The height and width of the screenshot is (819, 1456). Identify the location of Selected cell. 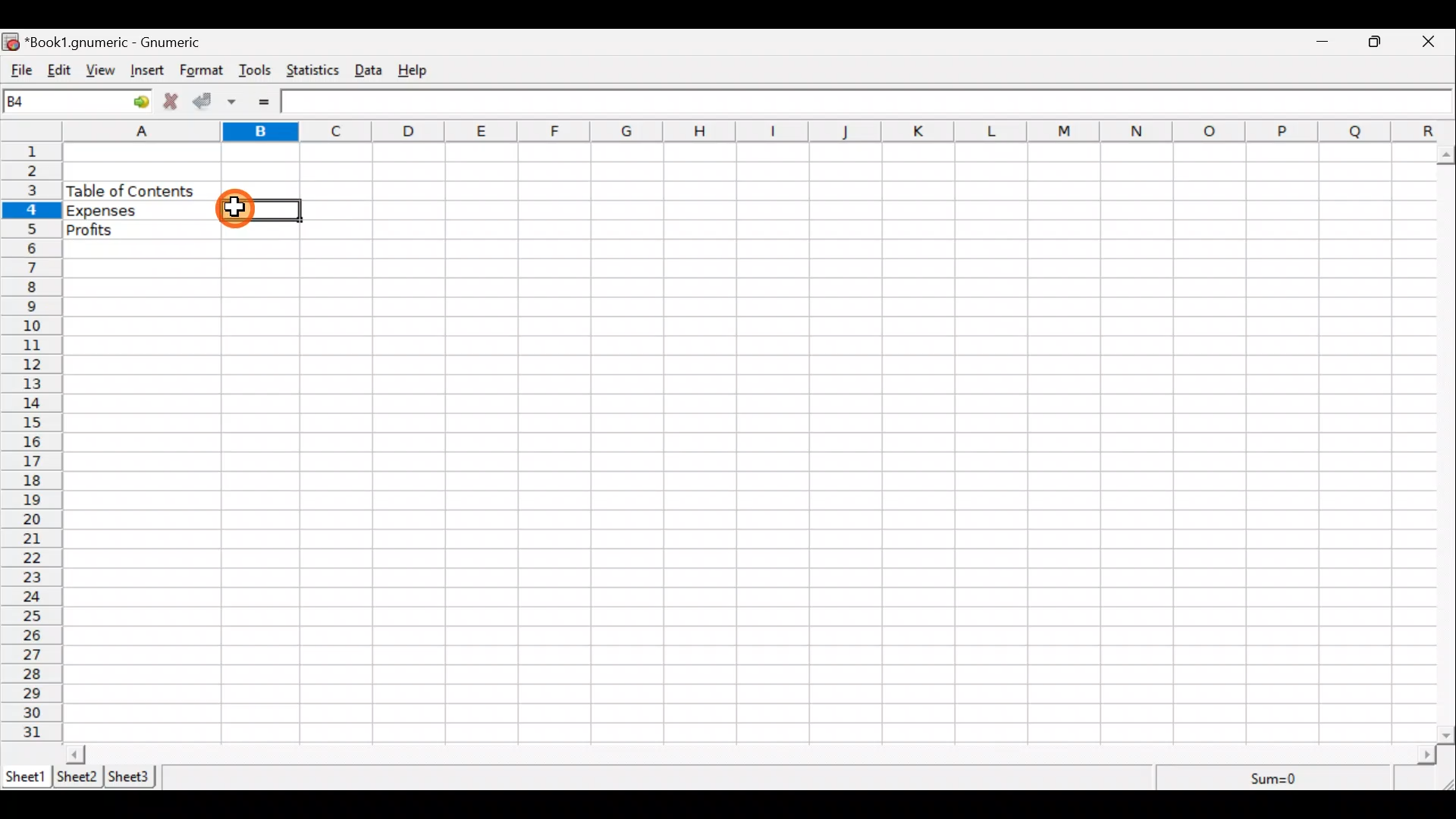
(262, 210).